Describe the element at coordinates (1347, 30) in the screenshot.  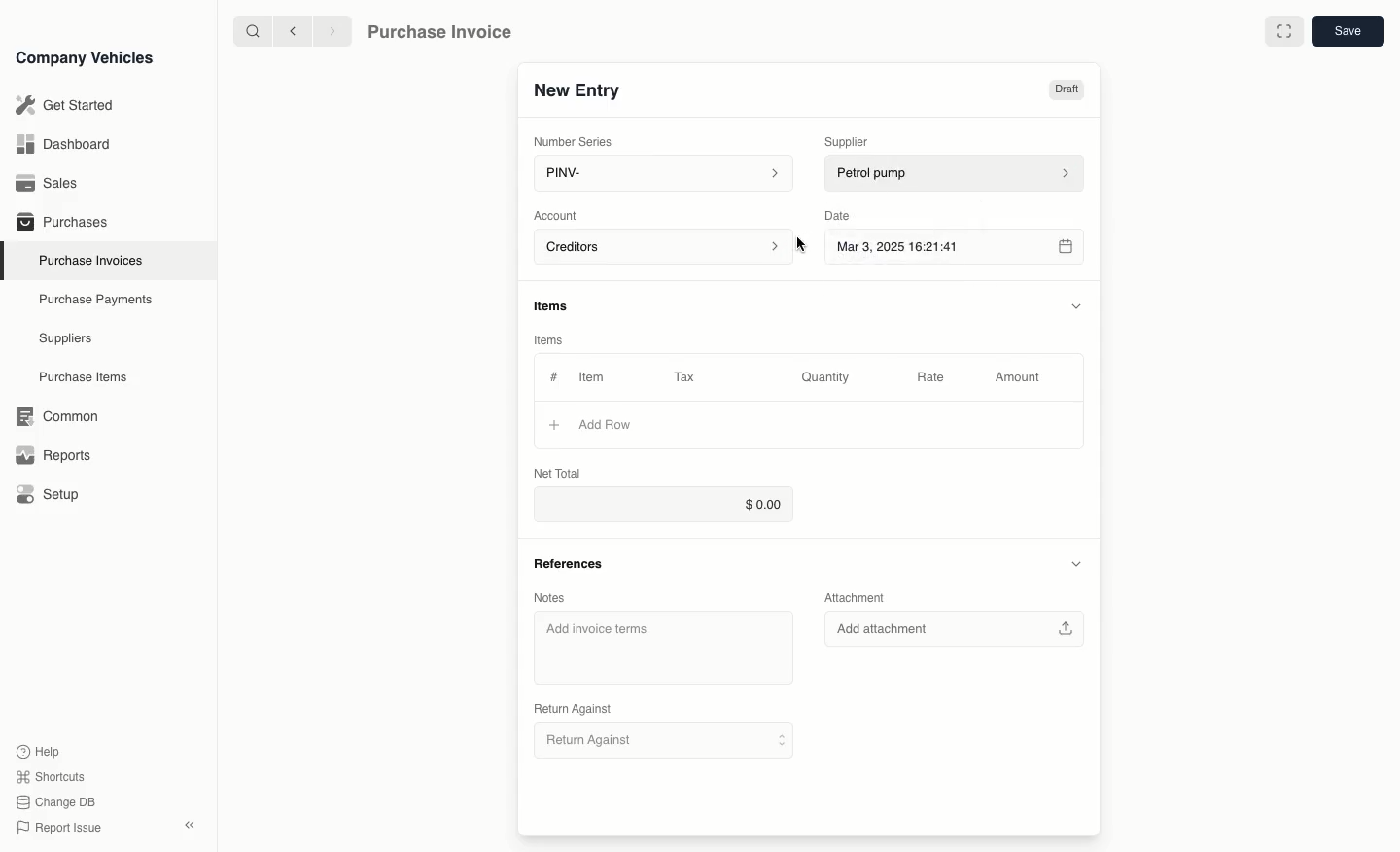
I see `save` at that location.